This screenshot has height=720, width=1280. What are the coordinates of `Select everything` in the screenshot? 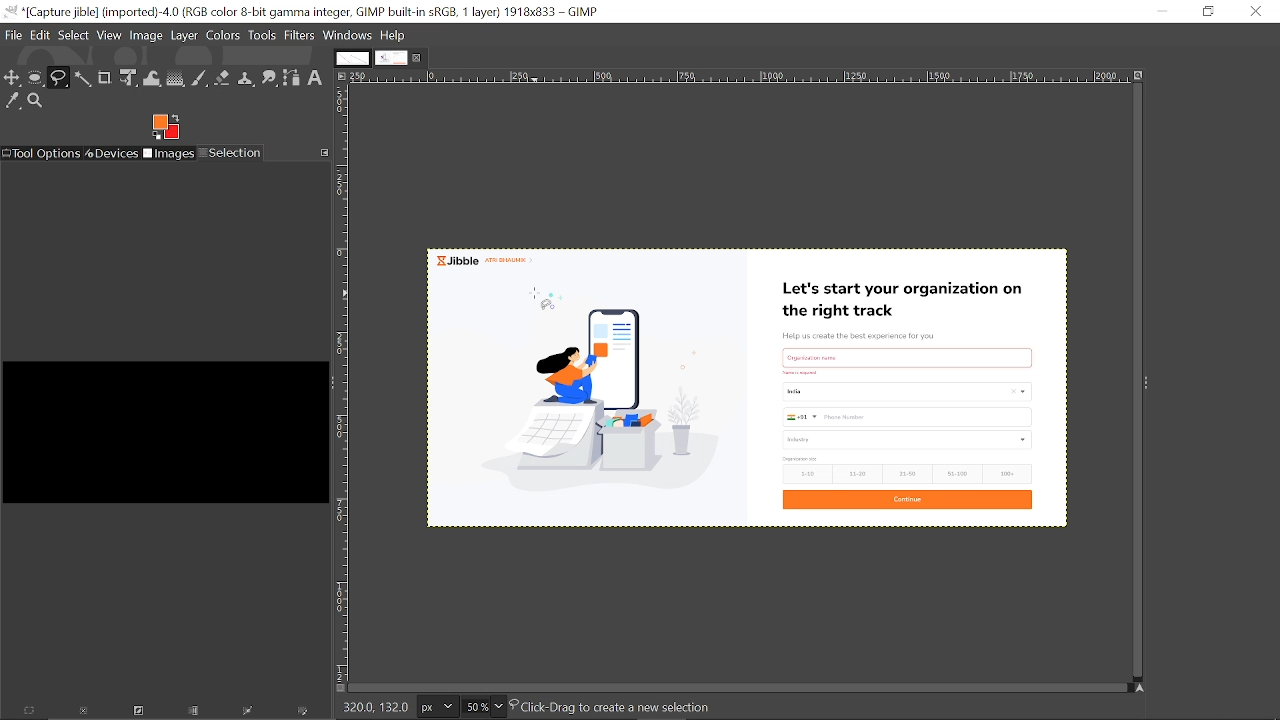 It's located at (30, 712).